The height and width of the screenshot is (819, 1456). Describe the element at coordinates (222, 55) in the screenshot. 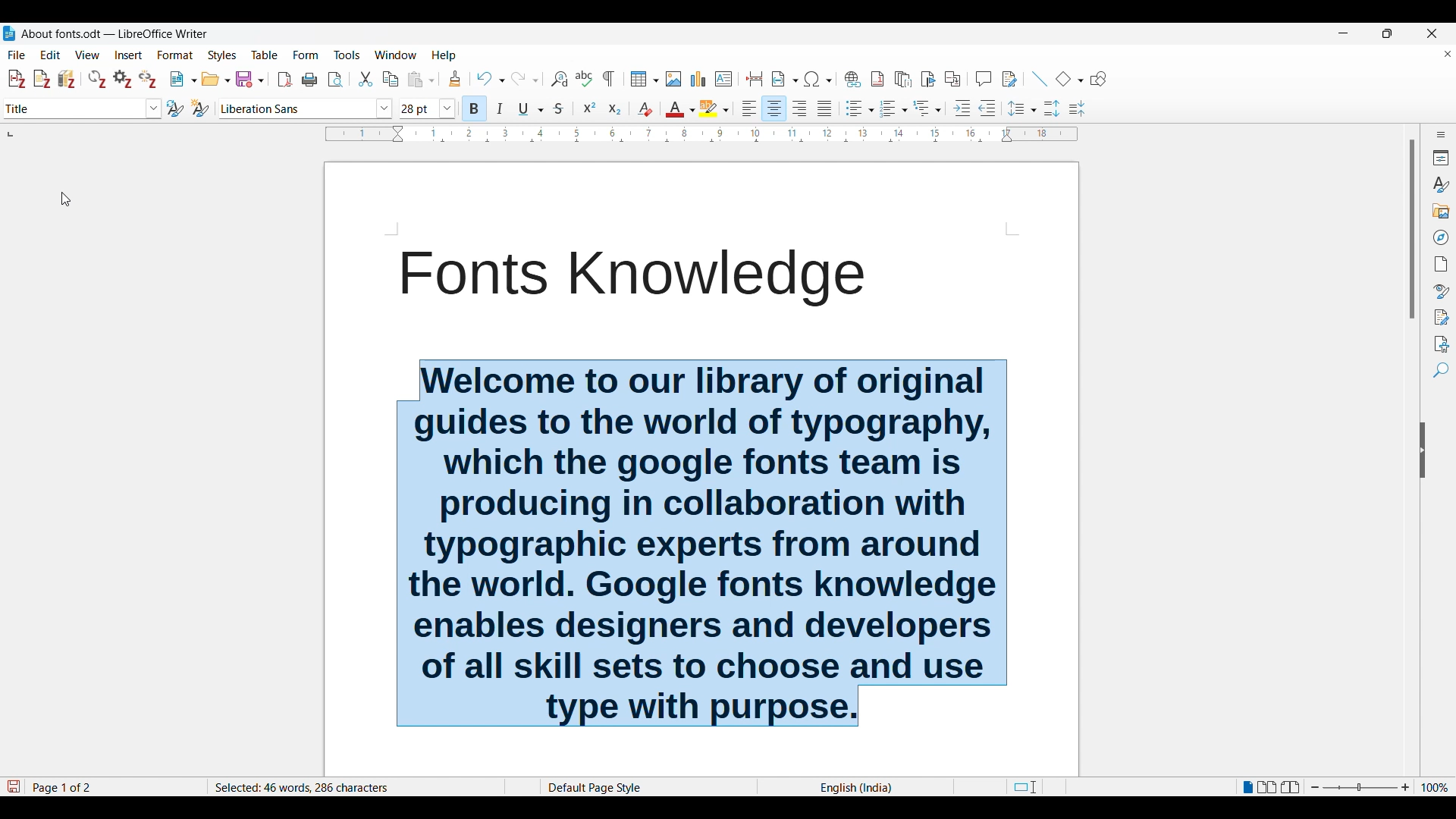

I see `Styles menu` at that location.